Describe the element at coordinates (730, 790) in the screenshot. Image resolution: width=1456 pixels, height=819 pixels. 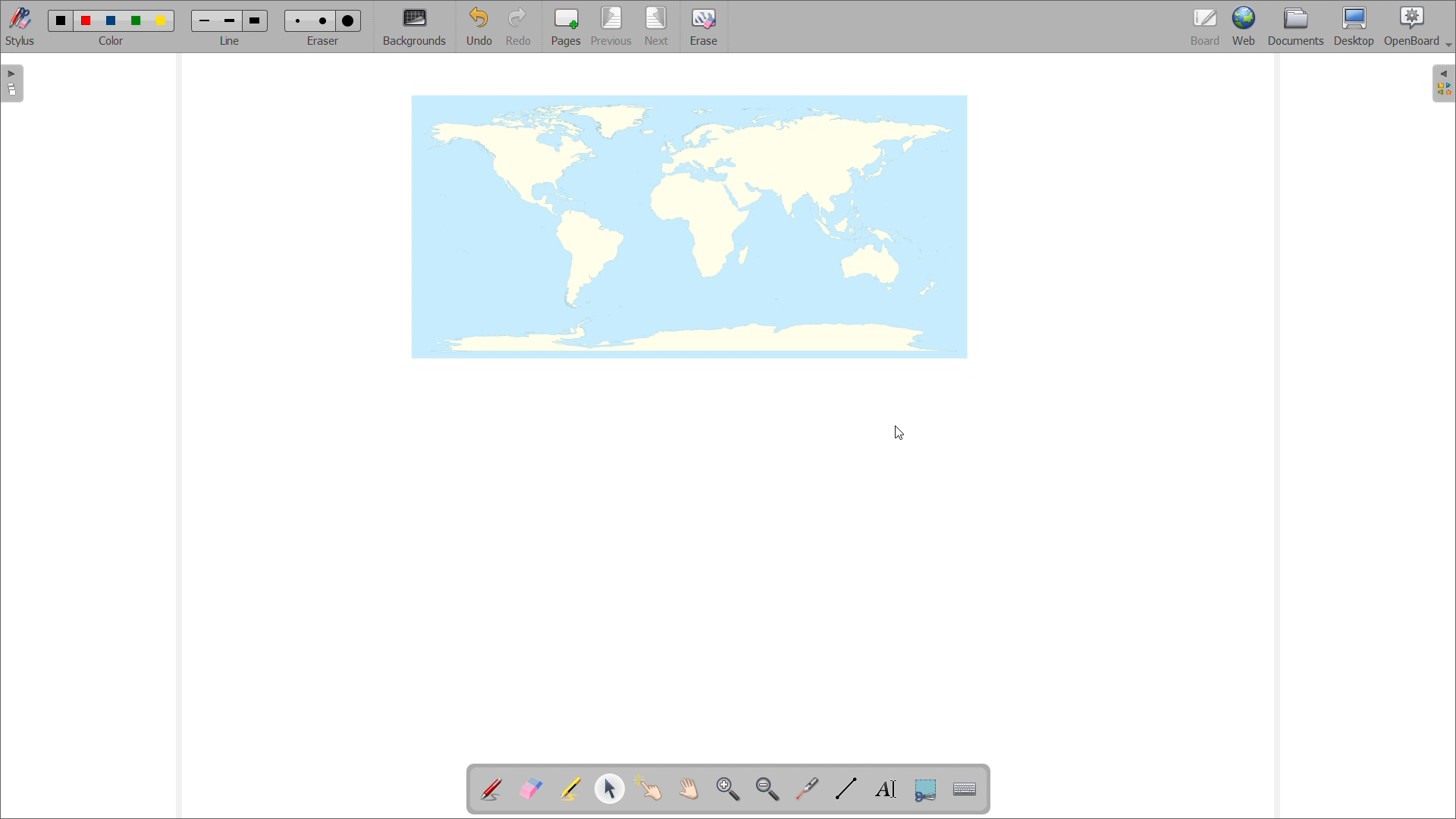
I see `zoom in` at that location.